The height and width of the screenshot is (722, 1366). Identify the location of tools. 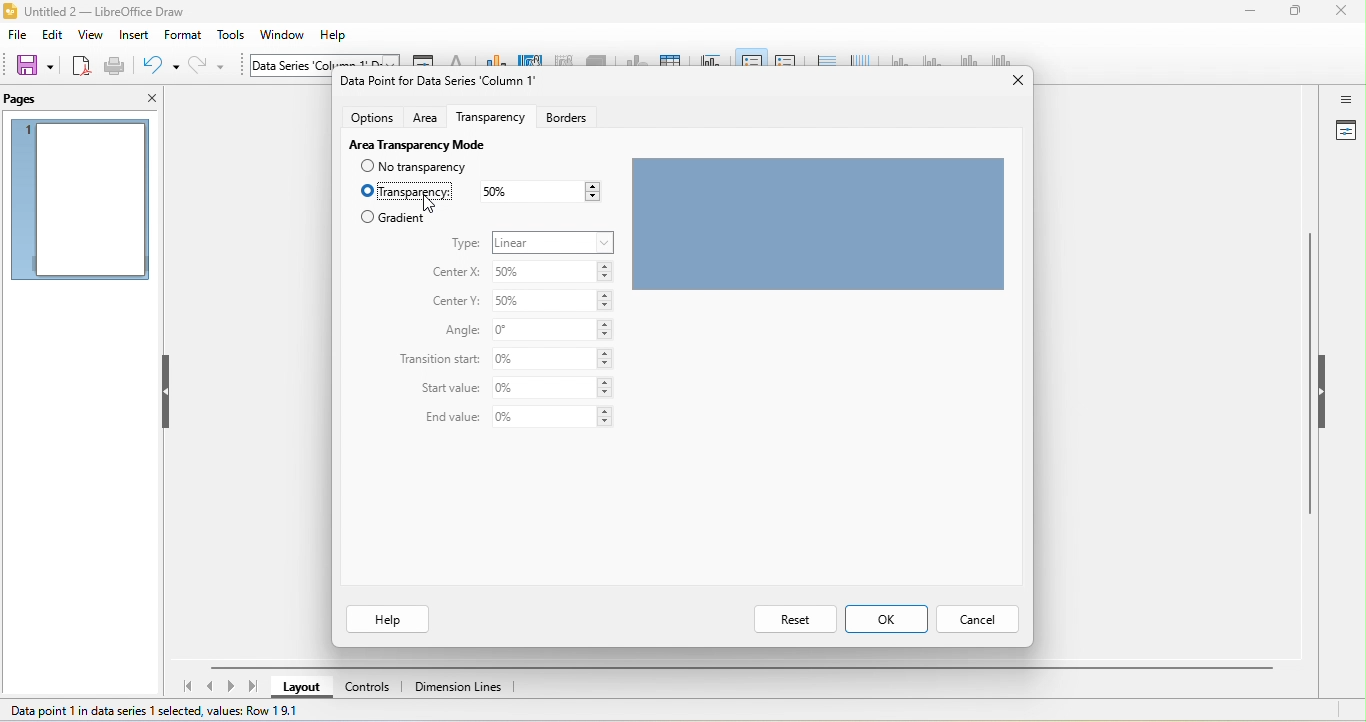
(232, 36).